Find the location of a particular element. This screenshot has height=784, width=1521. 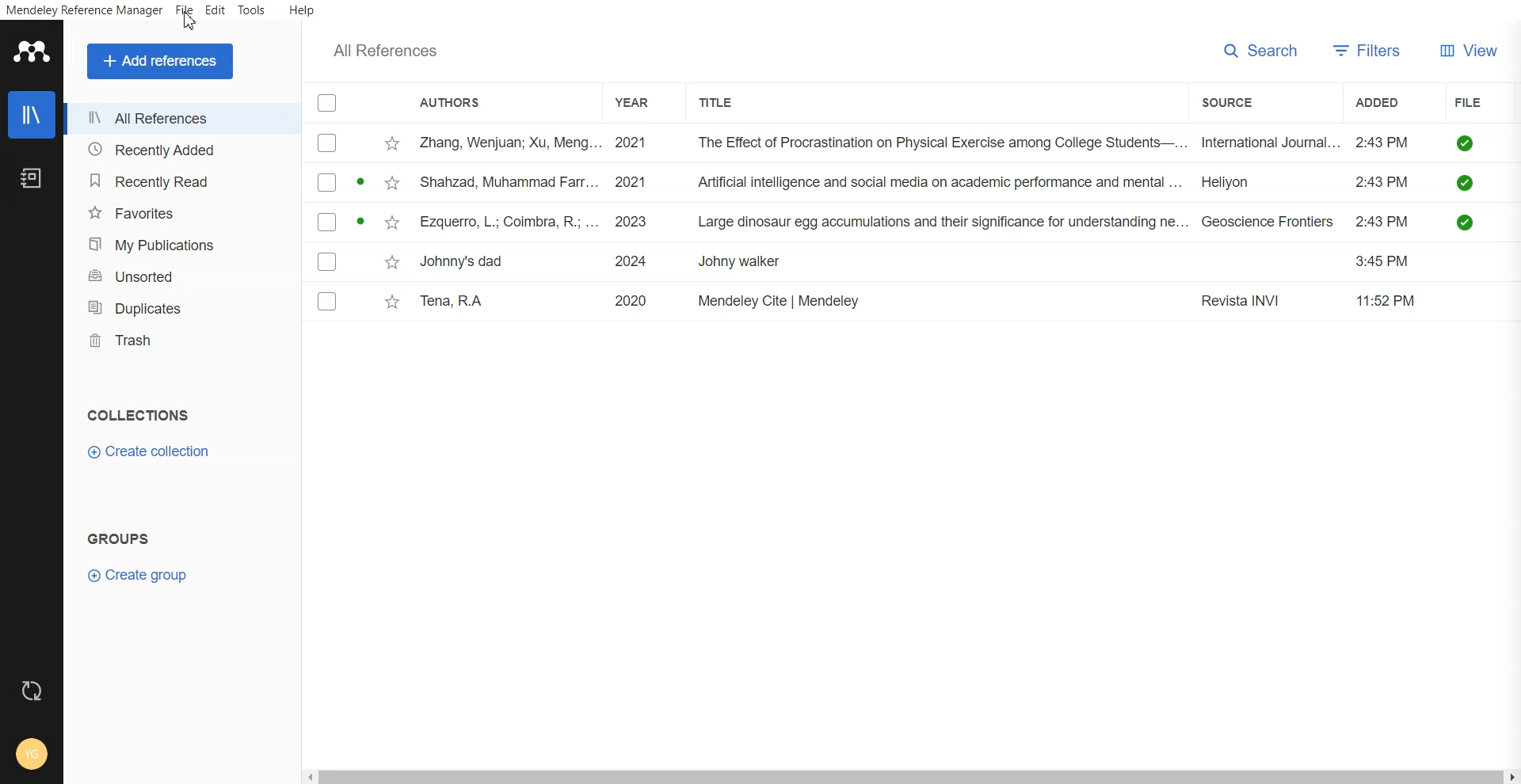

star is located at coordinates (390, 224).